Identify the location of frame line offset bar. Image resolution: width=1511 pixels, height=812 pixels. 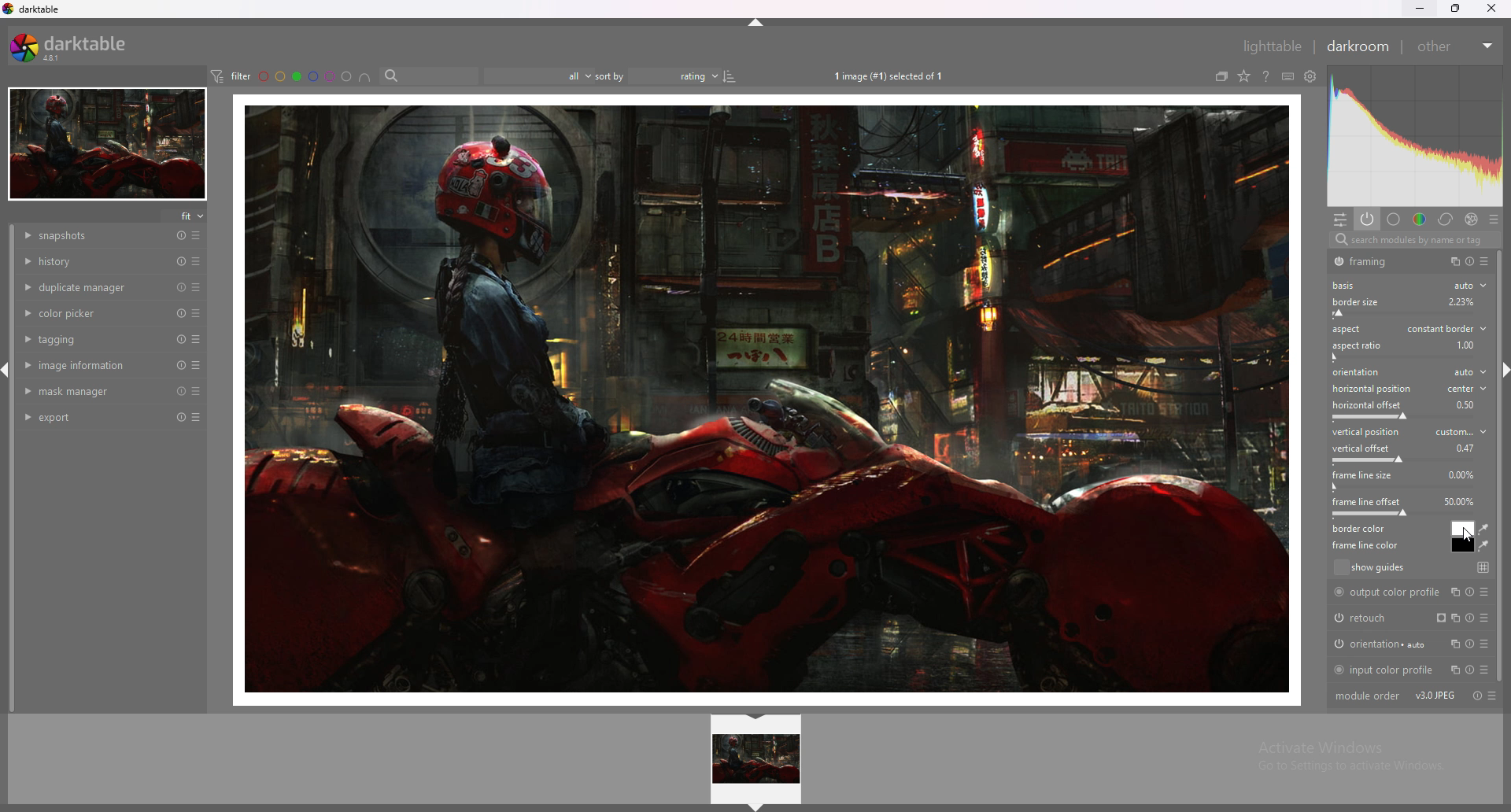
(1405, 515).